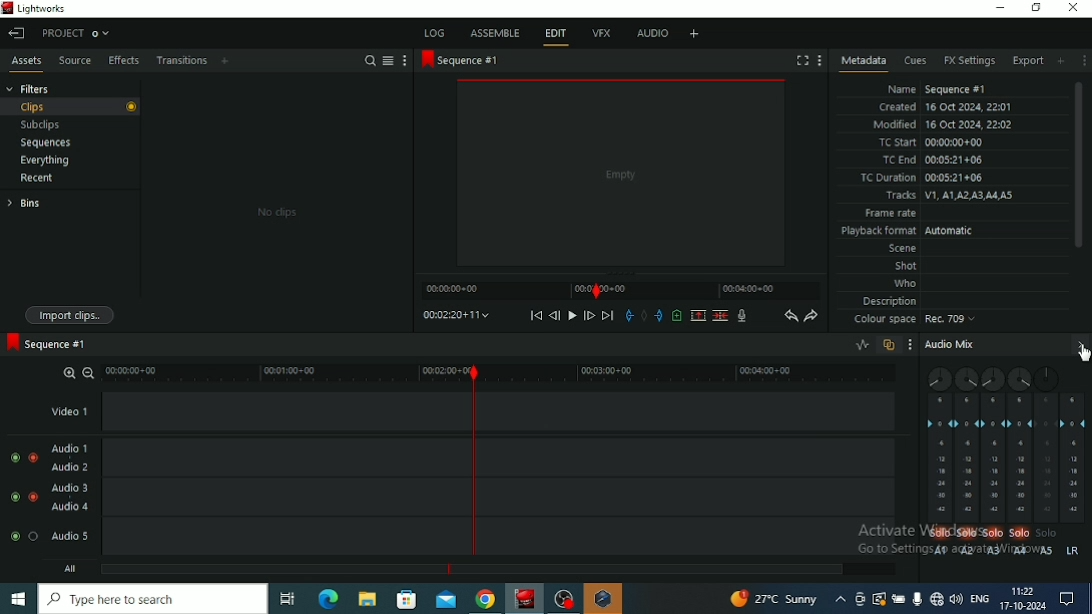 Image resolution: width=1092 pixels, height=614 pixels. Describe the element at coordinates (564, 599) in the screenshot. I see `OBS Studio` at that location.